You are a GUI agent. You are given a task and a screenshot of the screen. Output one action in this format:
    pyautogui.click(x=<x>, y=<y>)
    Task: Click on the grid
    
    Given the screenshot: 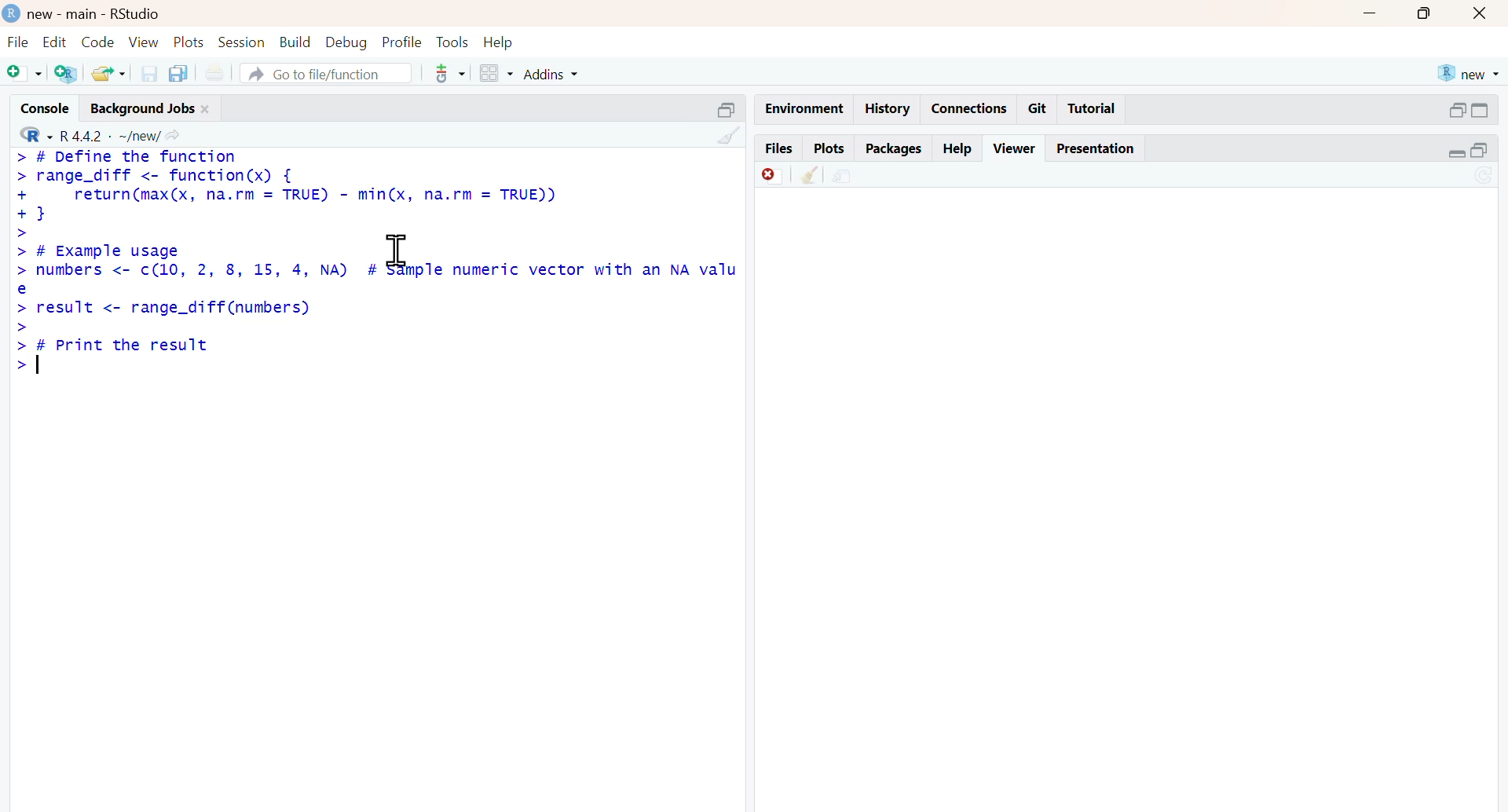 What is the action you would take?
    pyautogui.click(x=497, y=74)
    